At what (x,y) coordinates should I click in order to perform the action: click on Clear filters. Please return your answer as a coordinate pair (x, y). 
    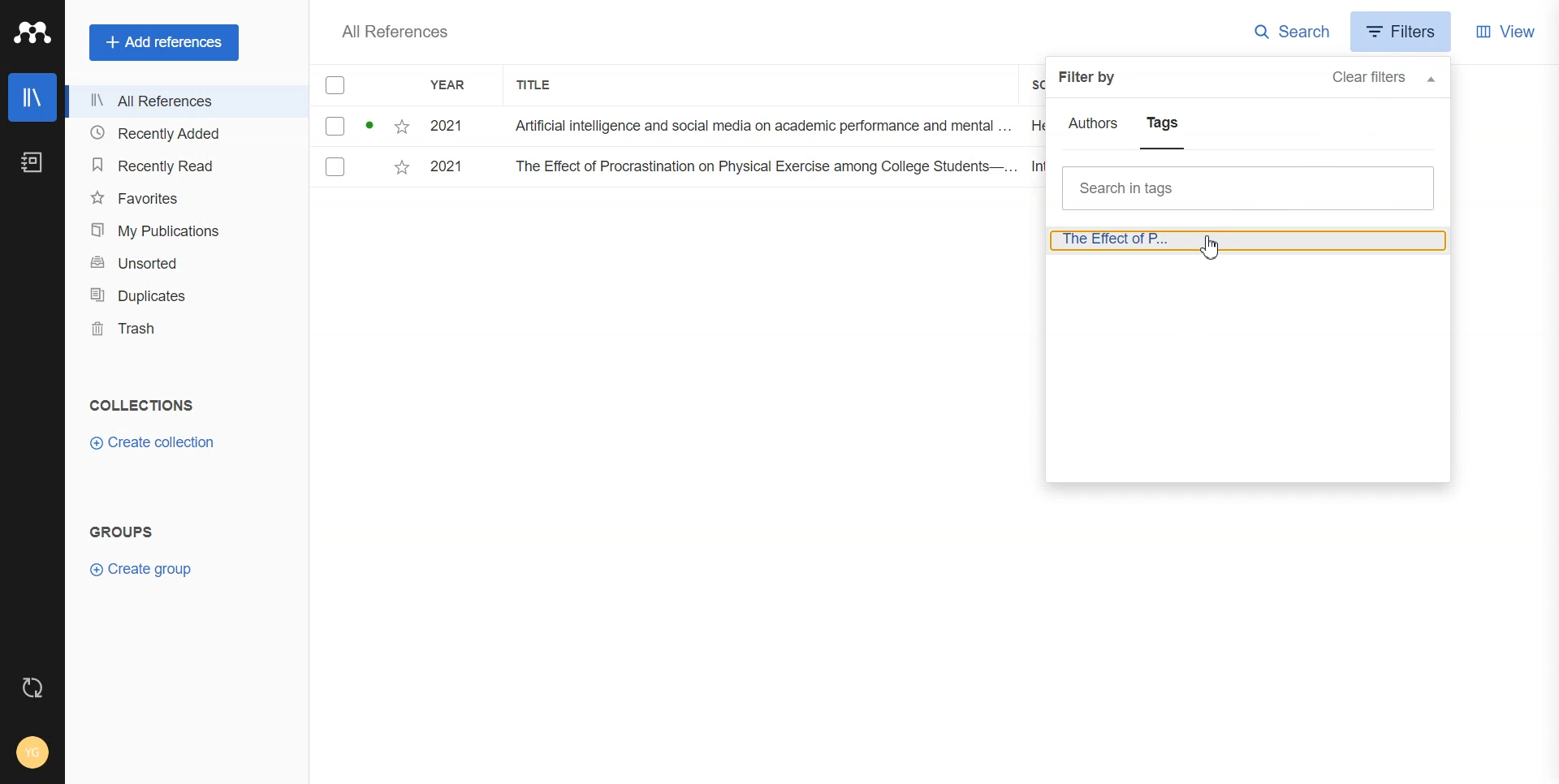
    Looking at the image, I should click on (1385, 78).